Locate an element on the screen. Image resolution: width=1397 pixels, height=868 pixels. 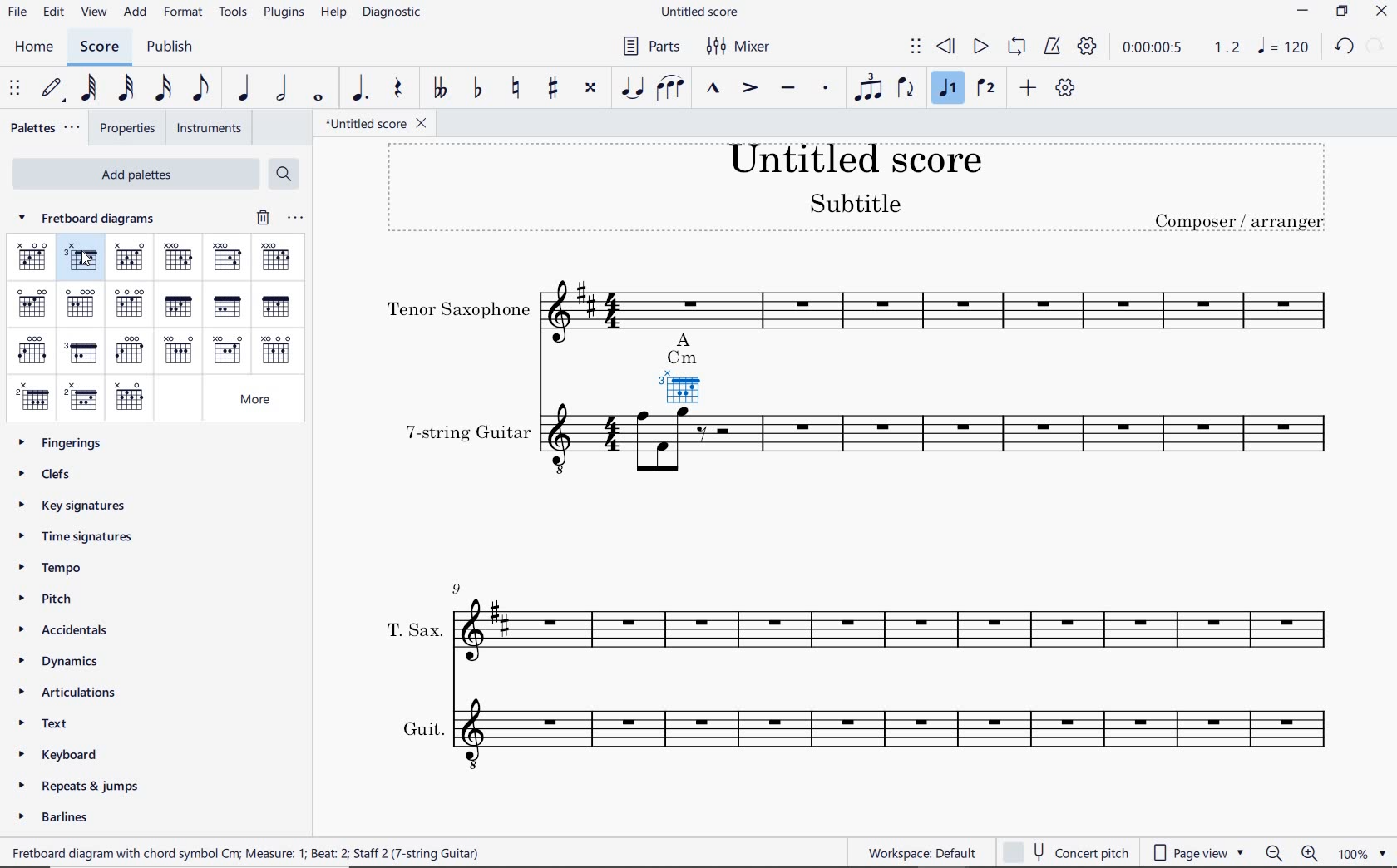
16TH NOTE is located at coordinates (161, 89).